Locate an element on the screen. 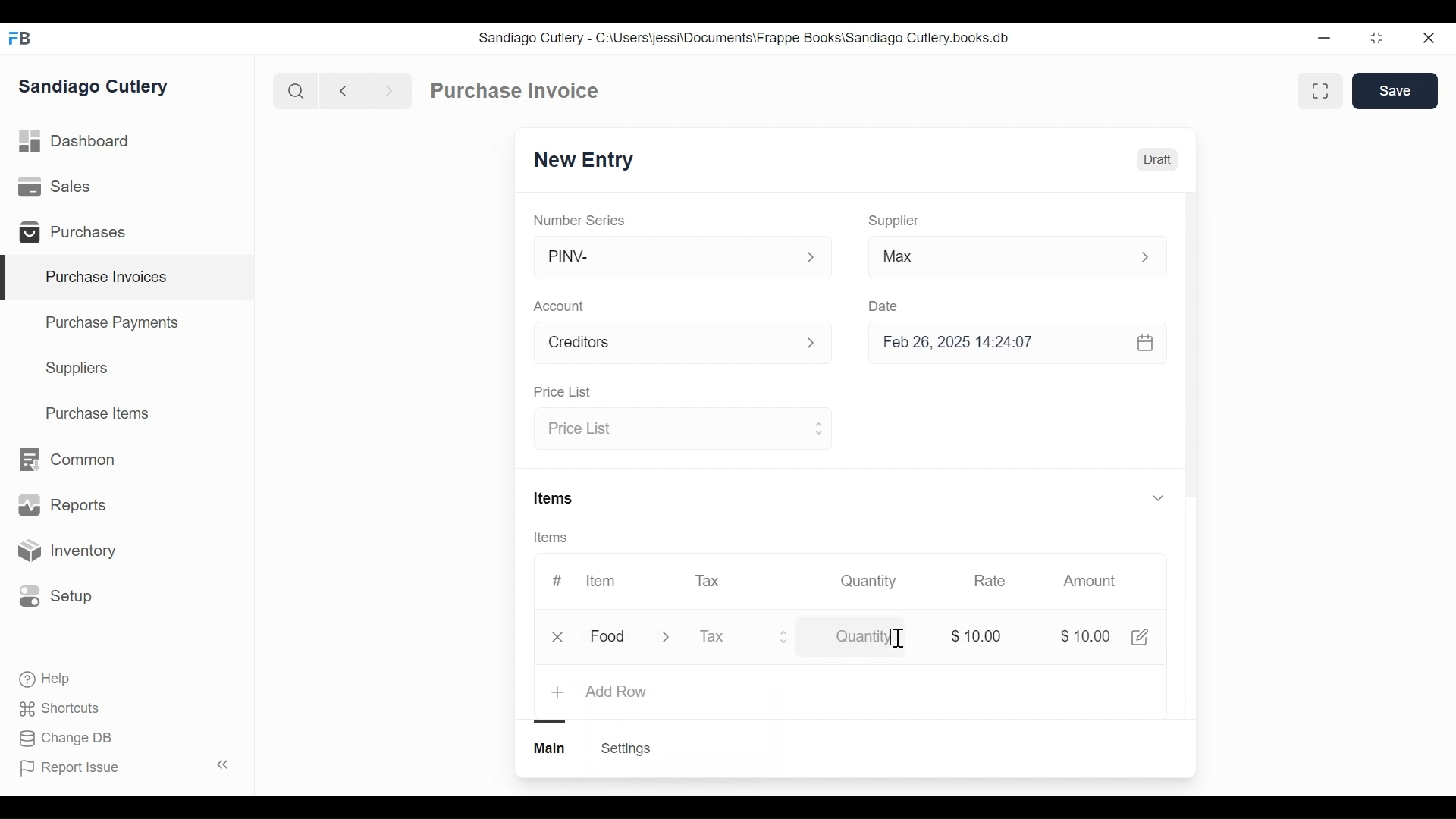 Image resolution: width=1456 pixels, height=819 pixels. Save is located at coordinates (1397, 91).